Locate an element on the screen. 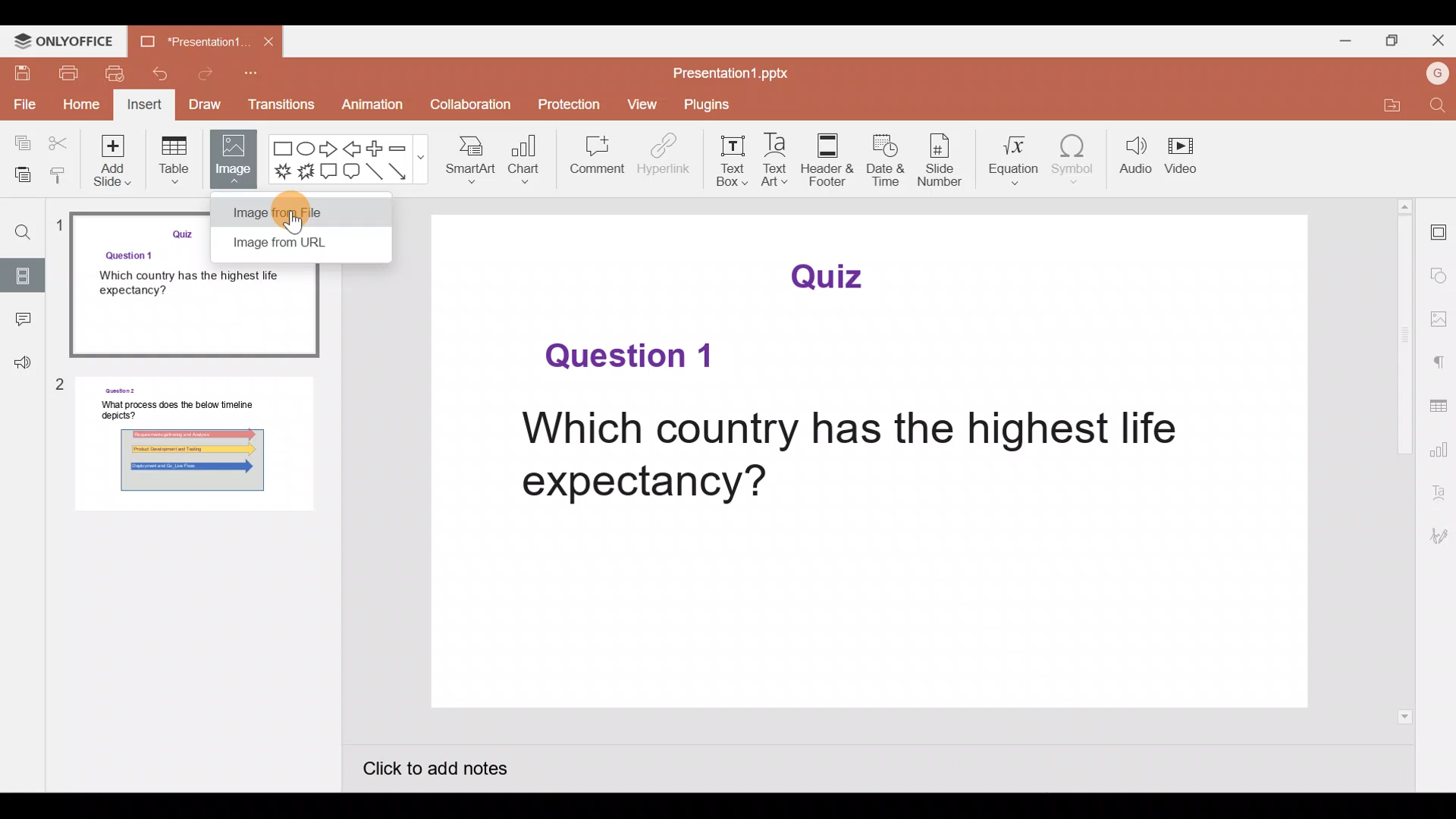  Slide settings is located at coordinates (1439, 230).